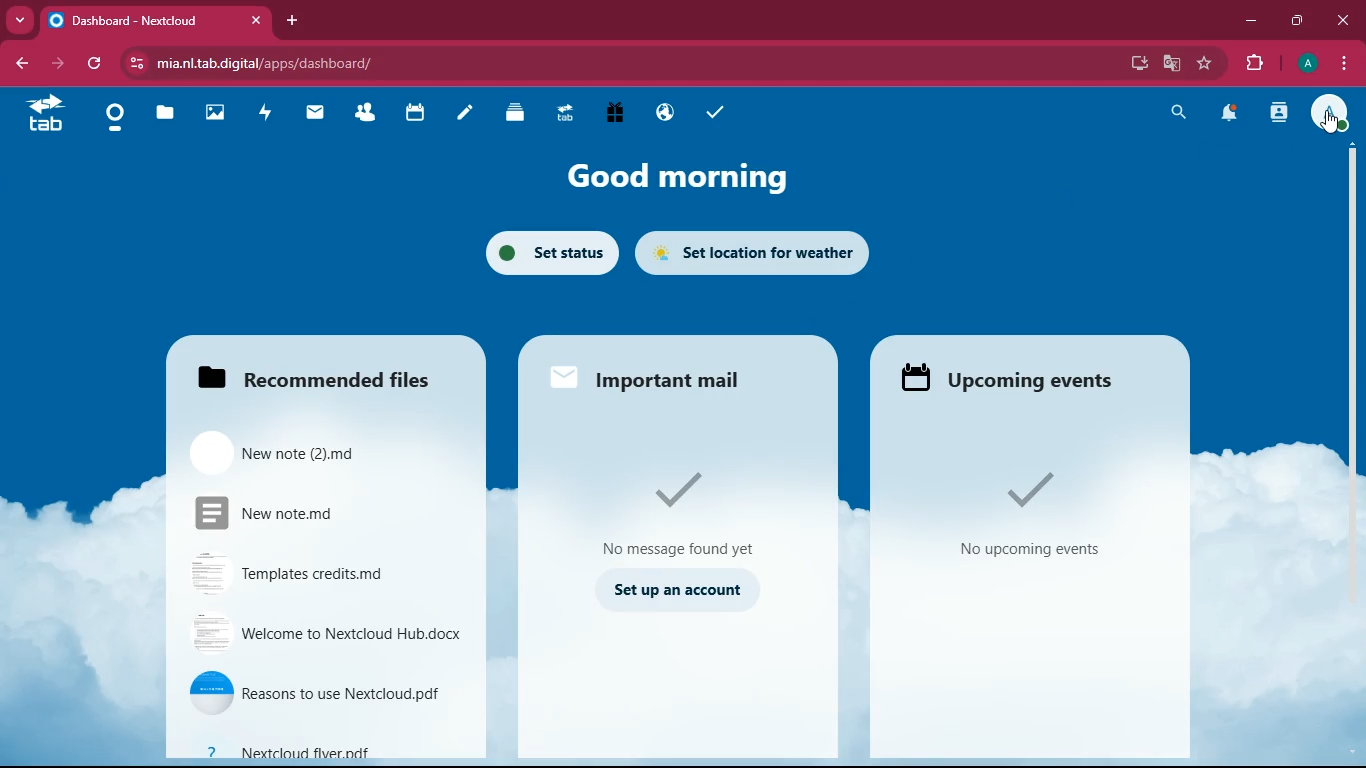 The image size is (1366, 768). What do you see at coordinates (363, 116) in the screenshot?
I see `friends` at bounding box center [363, 116].